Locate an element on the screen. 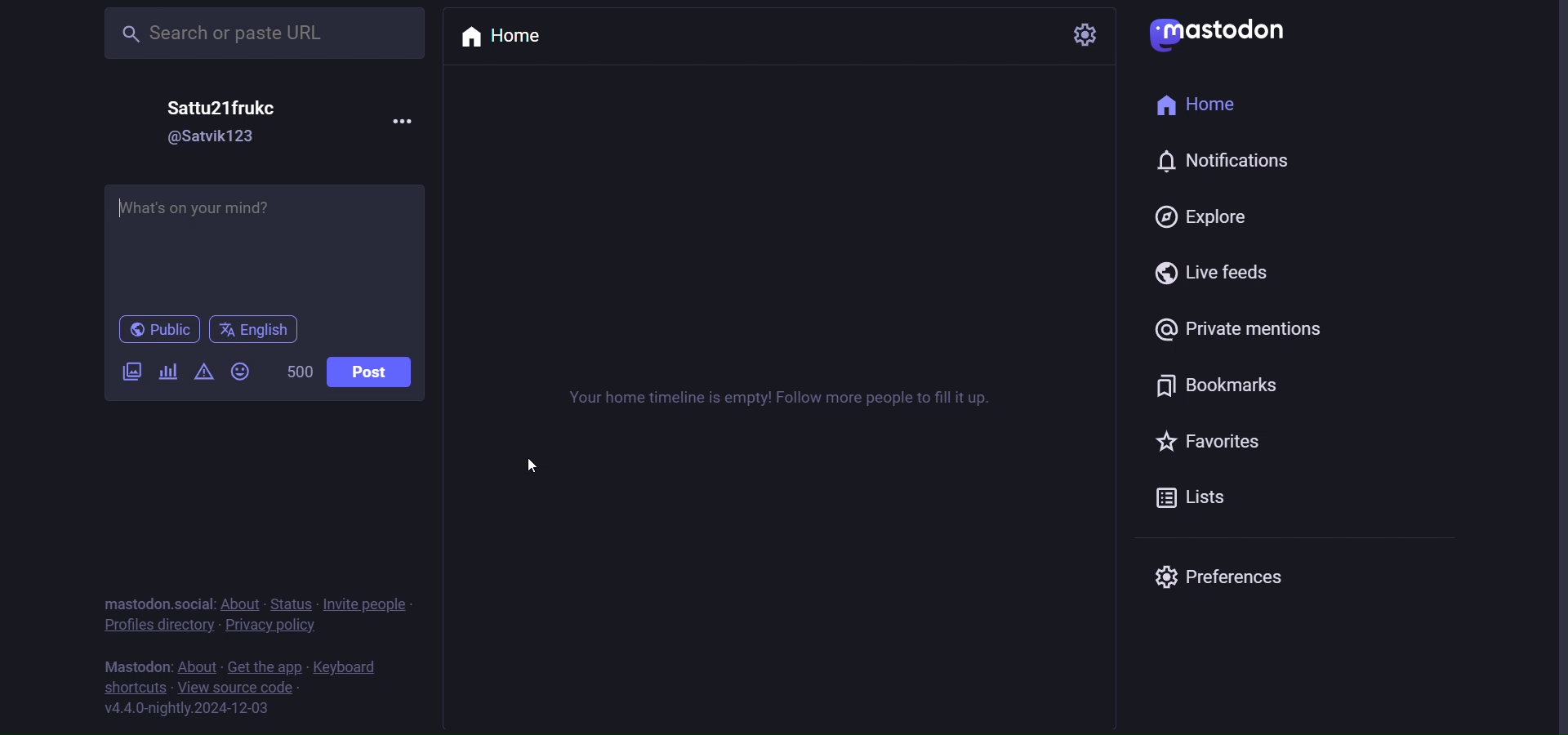 The width and height of the screenshot is (1568, 735). list is located at coordinates (1198, 497).